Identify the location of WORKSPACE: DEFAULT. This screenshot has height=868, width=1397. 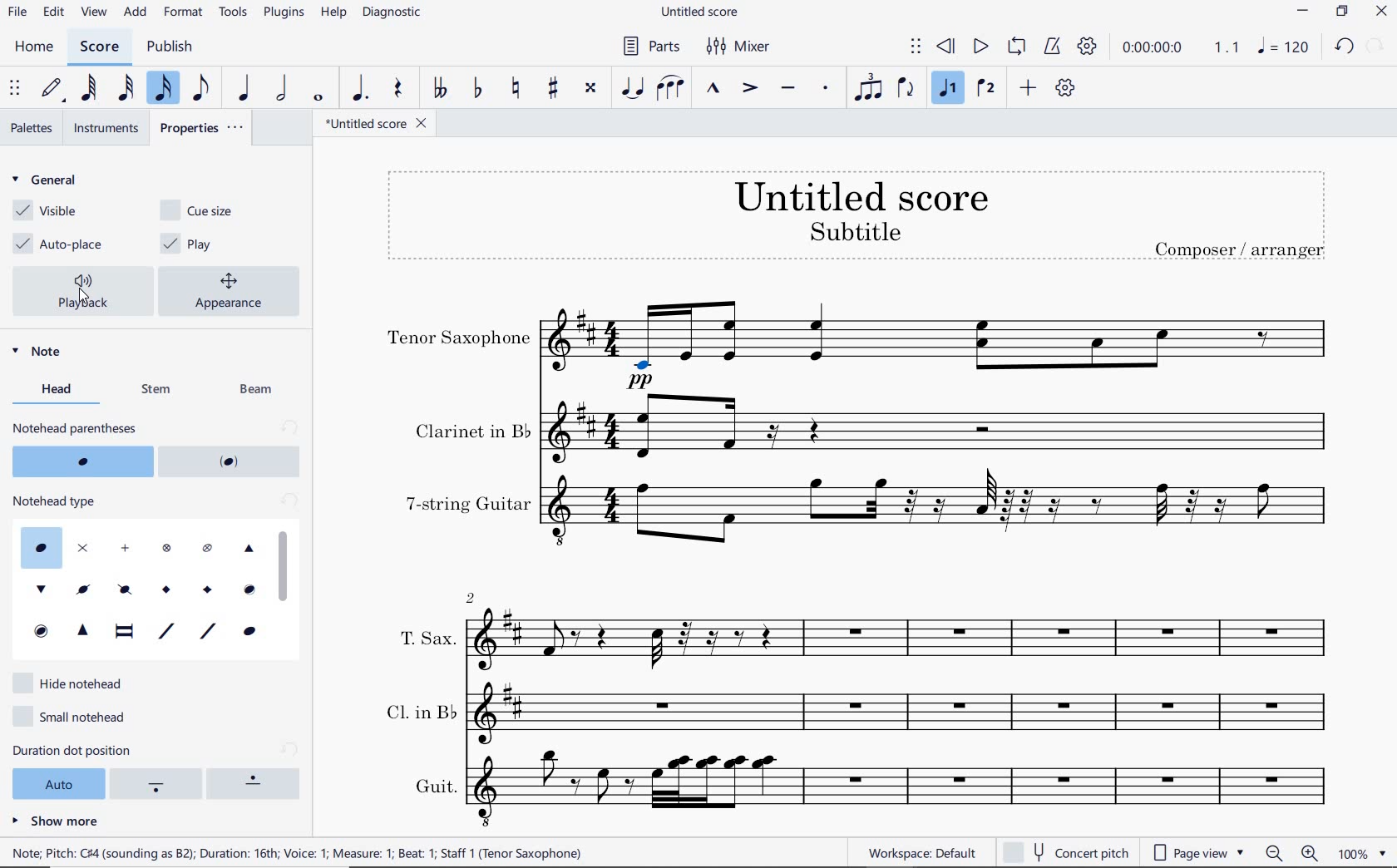
(921, 853).